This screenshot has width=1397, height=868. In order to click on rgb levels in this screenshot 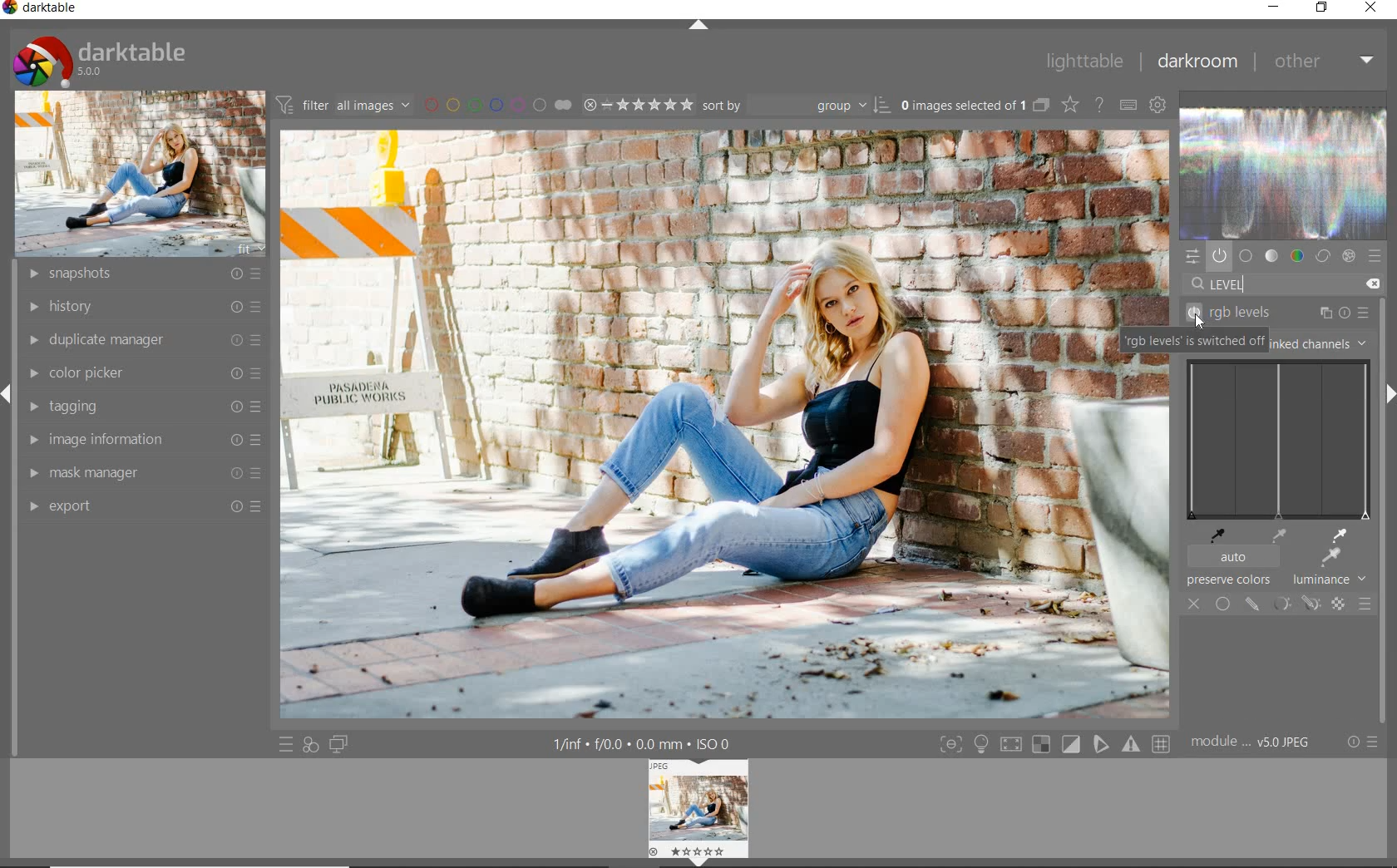, I will do `click(1292, 313)`.